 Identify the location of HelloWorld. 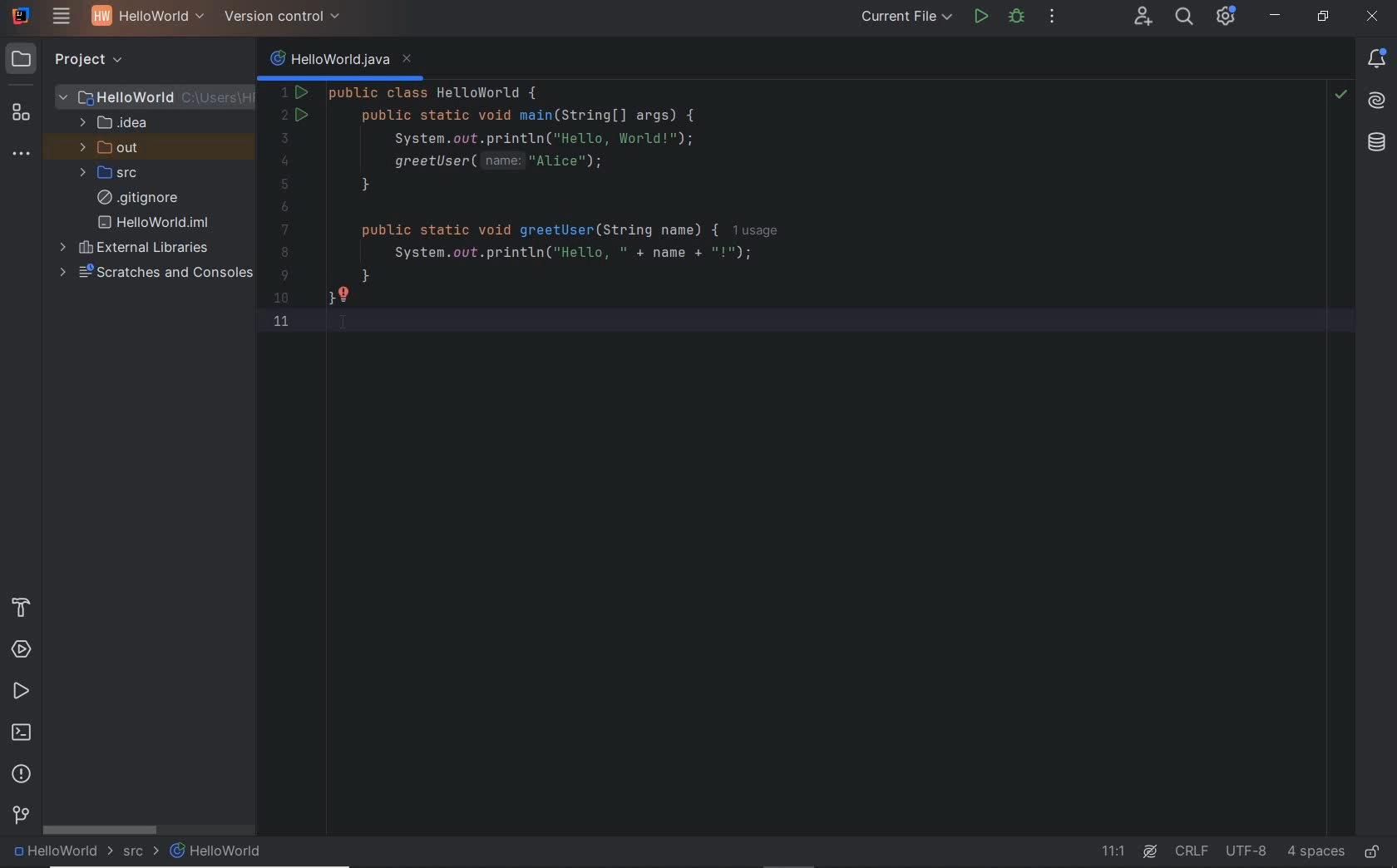
(216, 851).